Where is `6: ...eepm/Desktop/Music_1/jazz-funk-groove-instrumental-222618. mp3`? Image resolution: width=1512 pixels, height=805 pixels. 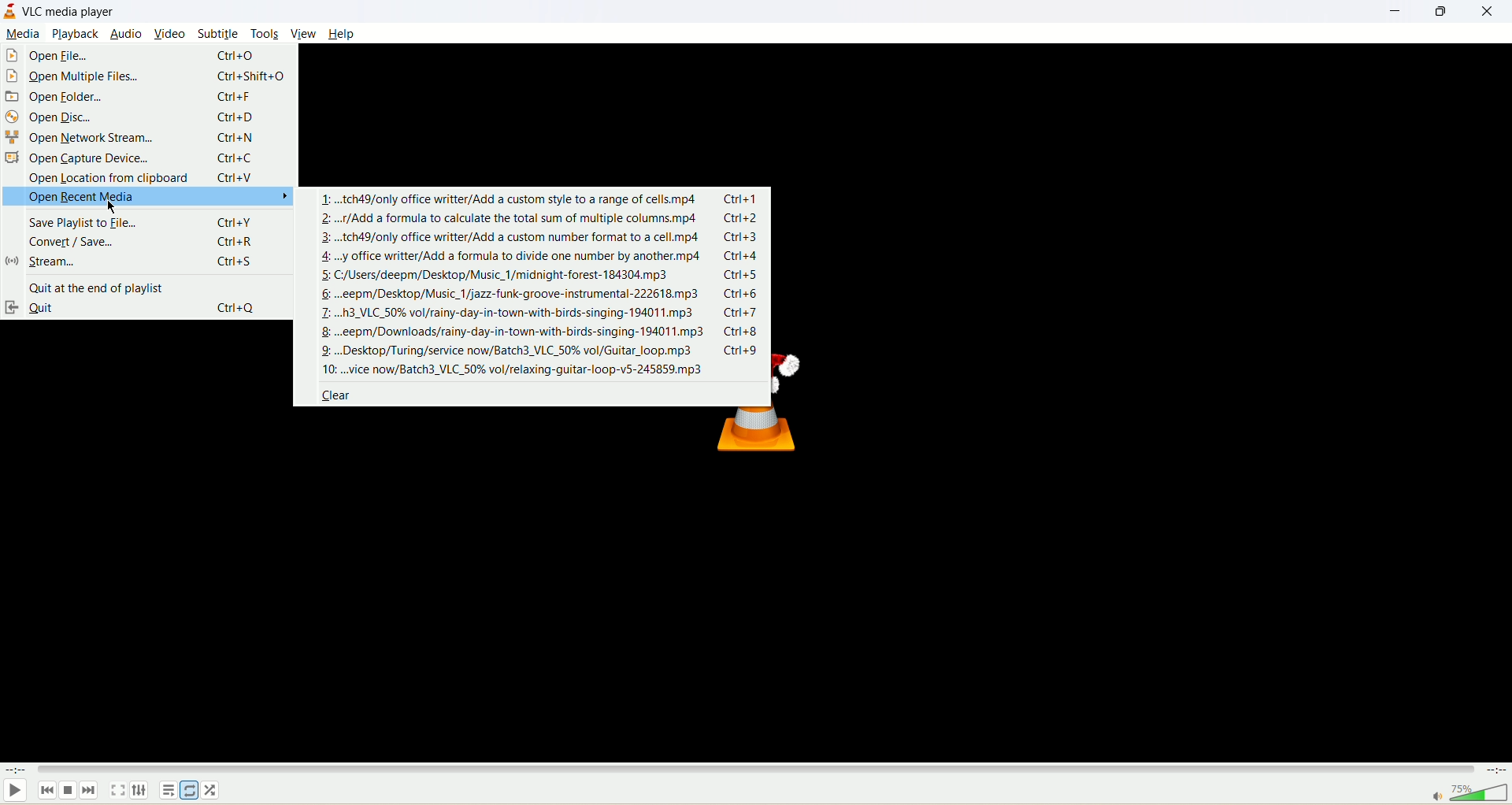
6: ...eepm/Desktop/Music_1/jazz-funk-groove-instrumental-222618. mp3 is located at coordinates (514, 295).